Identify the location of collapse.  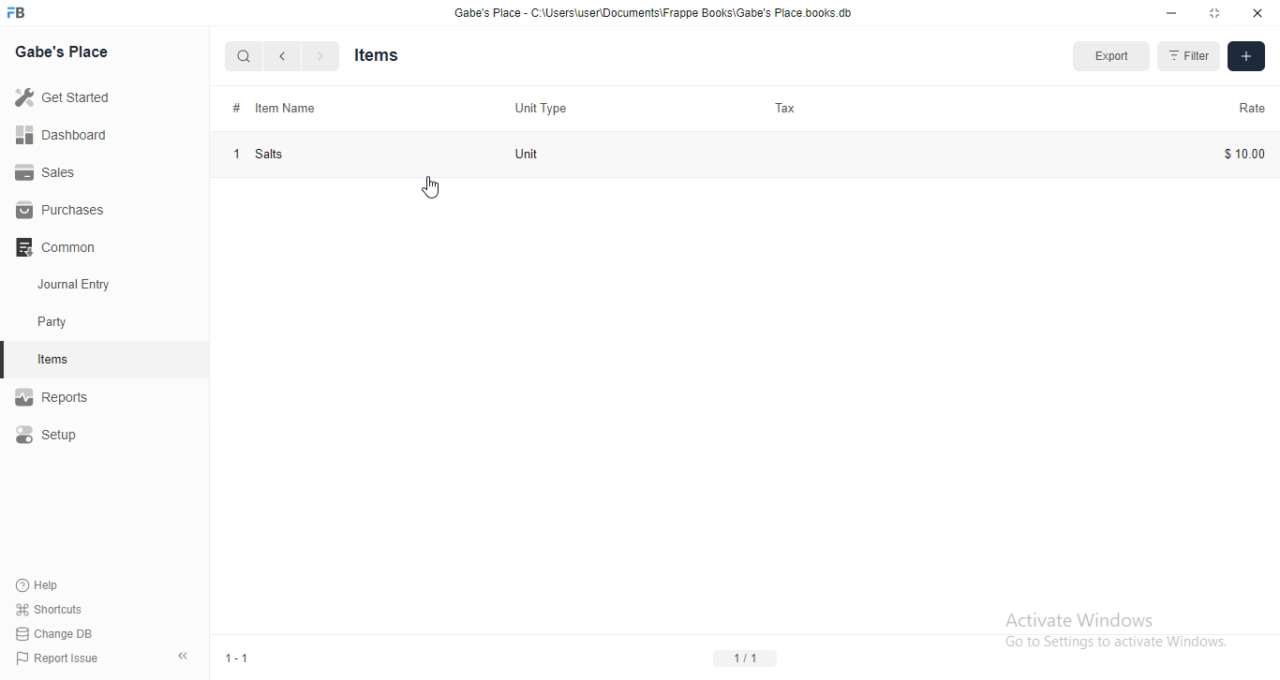
(187, 659).